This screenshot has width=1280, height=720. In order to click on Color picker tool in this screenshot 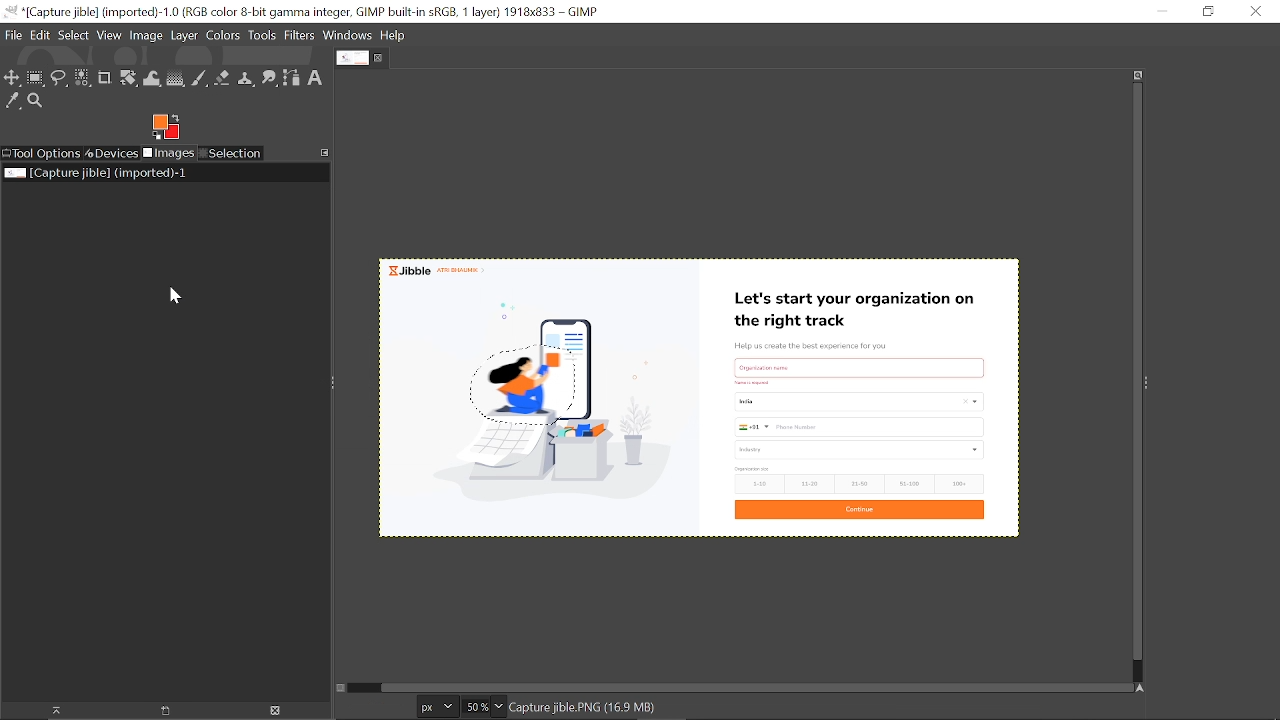, I will do `click(13, 102)`.